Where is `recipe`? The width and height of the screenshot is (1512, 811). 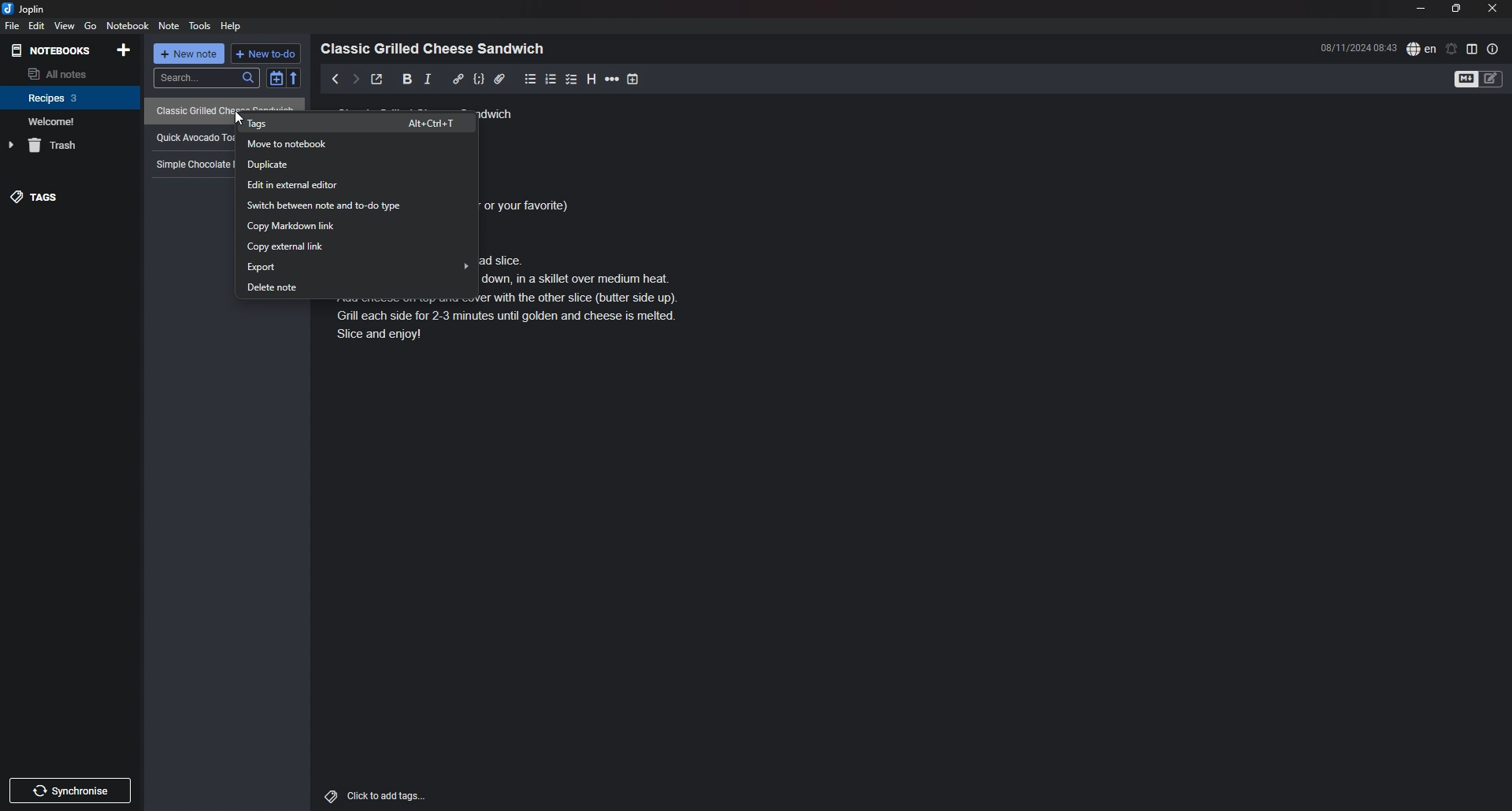 recipe is located at coordinates (191, 164).